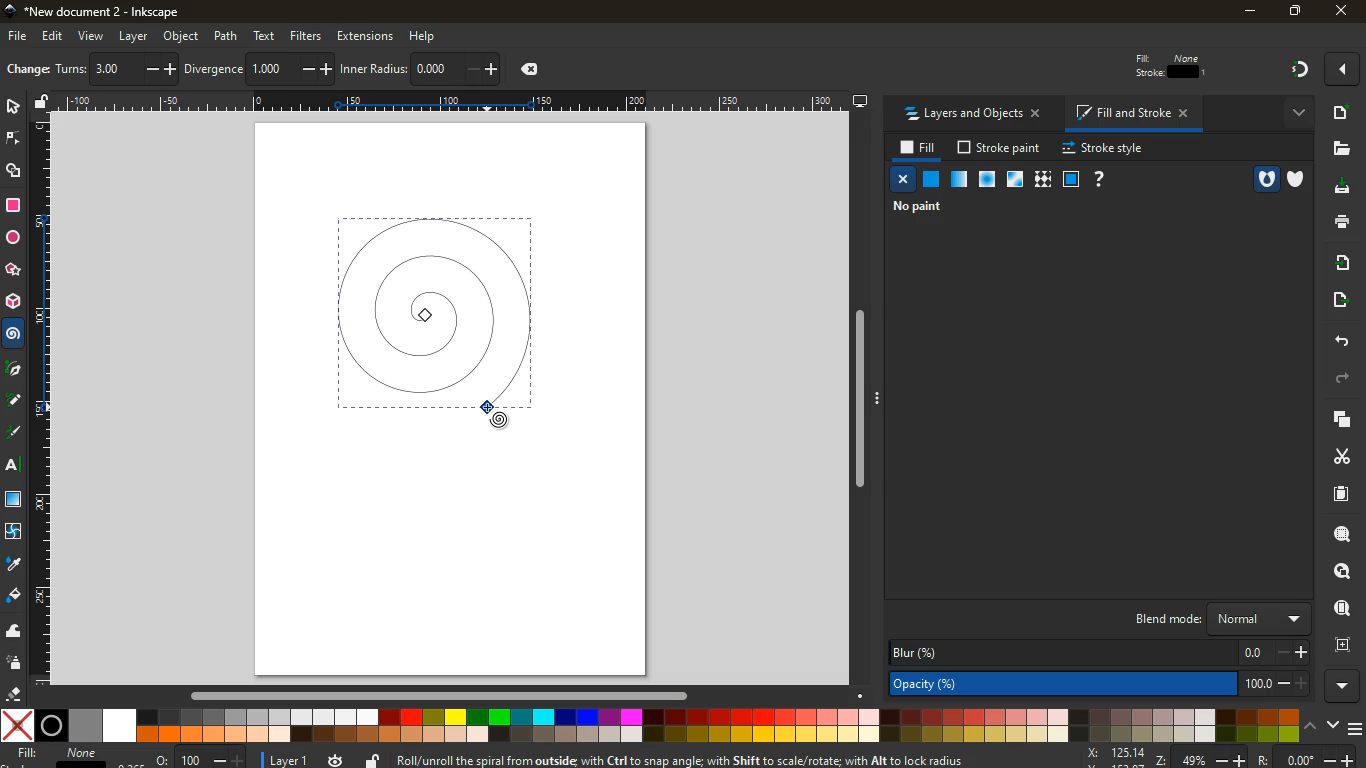 The image size is (1366, 768). What do you see at coordinates (15, 433) in the screenshot?
I see `r` at bounding box center [15, 433].